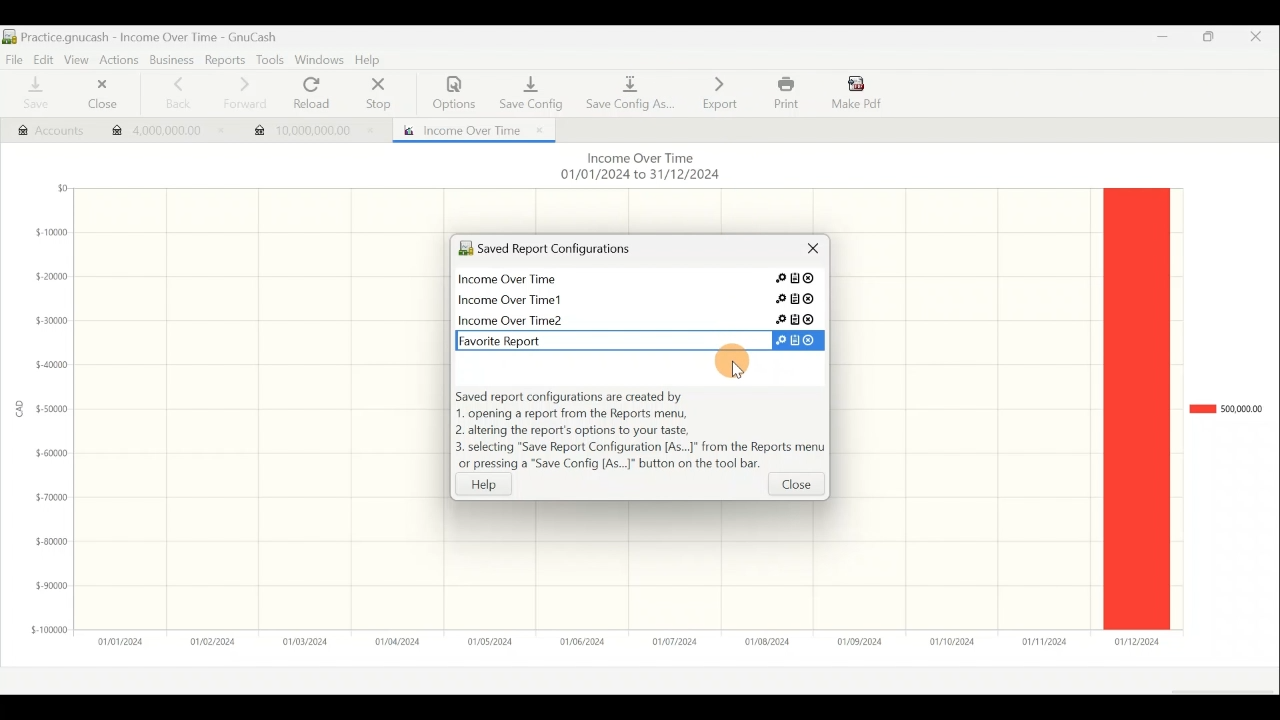  I want to click on Save config as, so click(630, 90).